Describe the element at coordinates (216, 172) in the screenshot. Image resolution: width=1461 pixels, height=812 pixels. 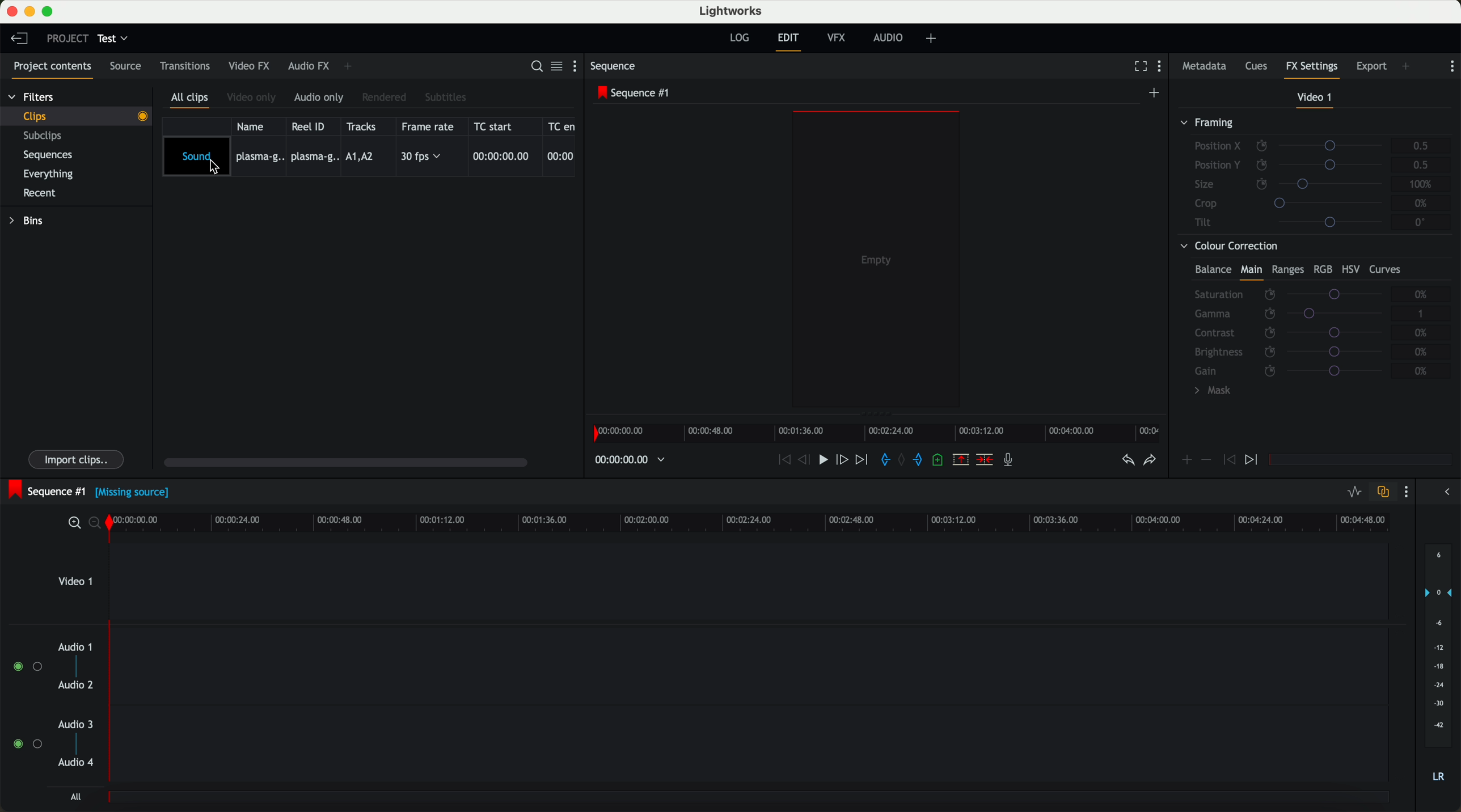
I see `cursor` at that location.